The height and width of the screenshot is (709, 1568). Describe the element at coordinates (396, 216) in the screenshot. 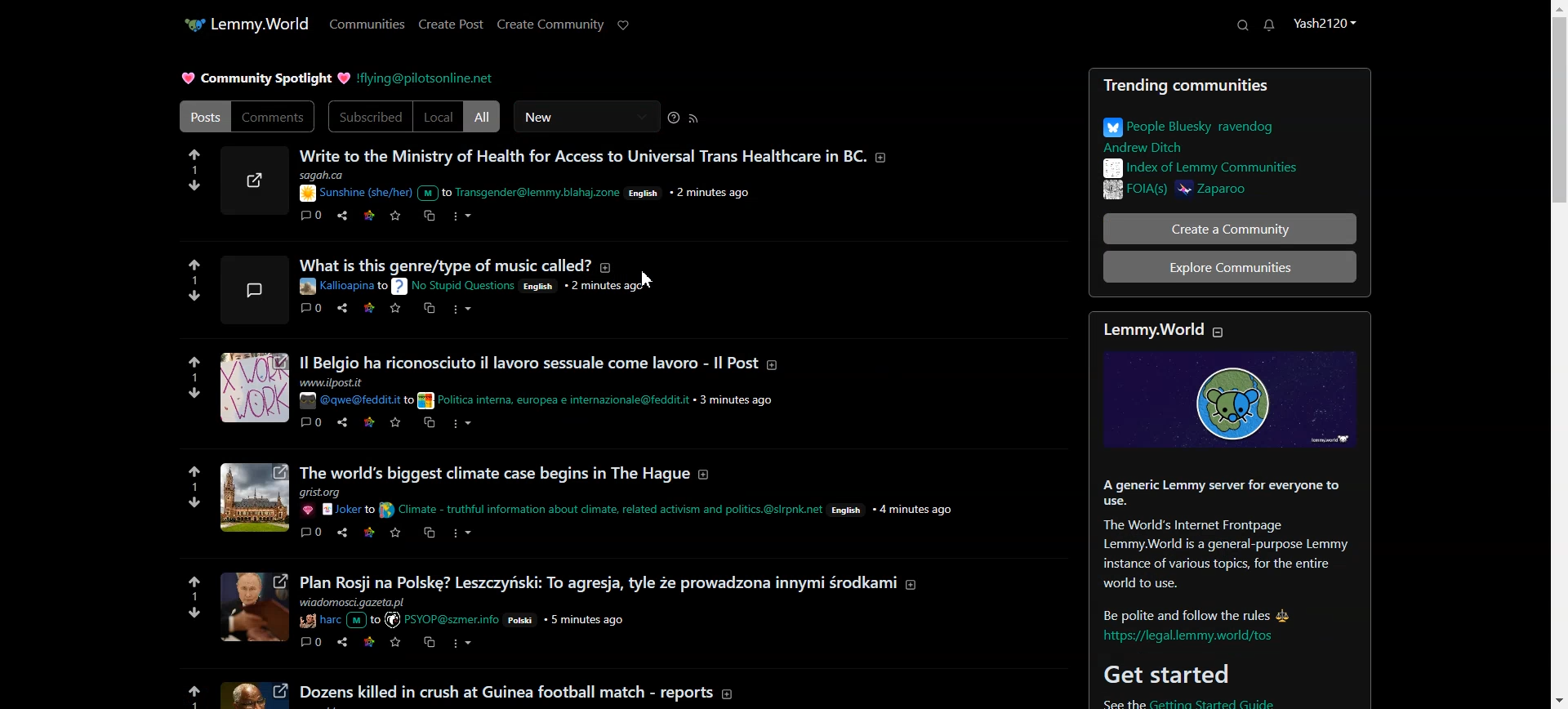

I see `Save` at that location.